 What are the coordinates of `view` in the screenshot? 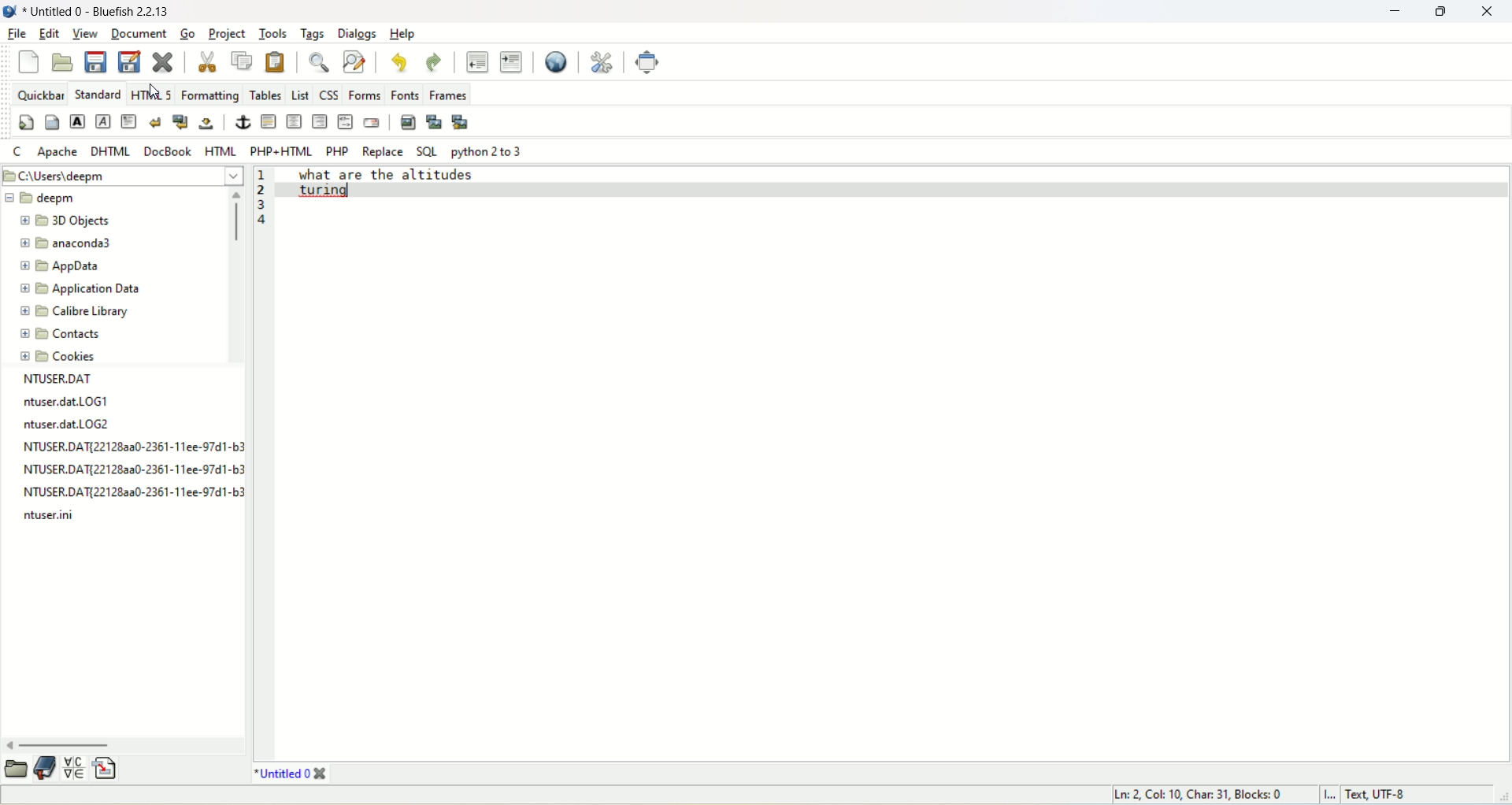 It's located at (84, 32).